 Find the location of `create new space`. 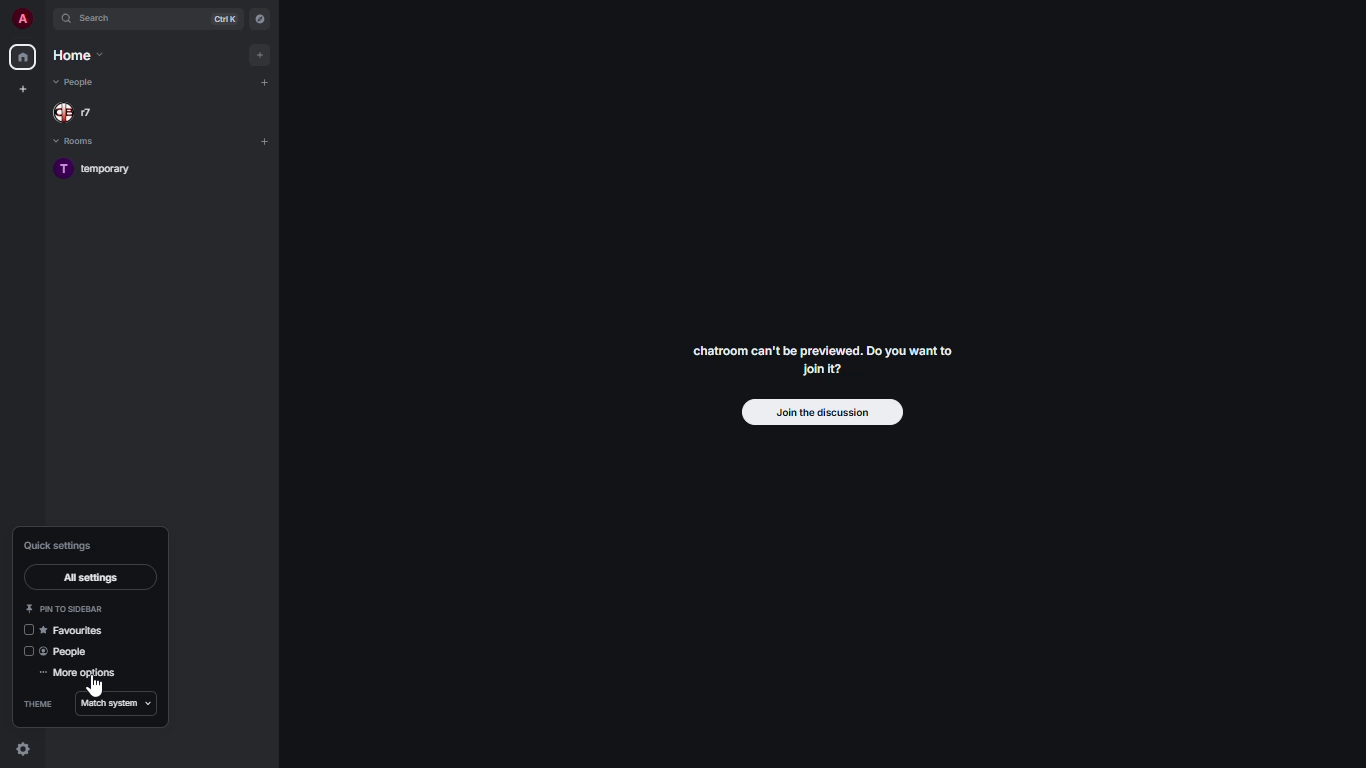

create new space is located at coordinates (24, 89).